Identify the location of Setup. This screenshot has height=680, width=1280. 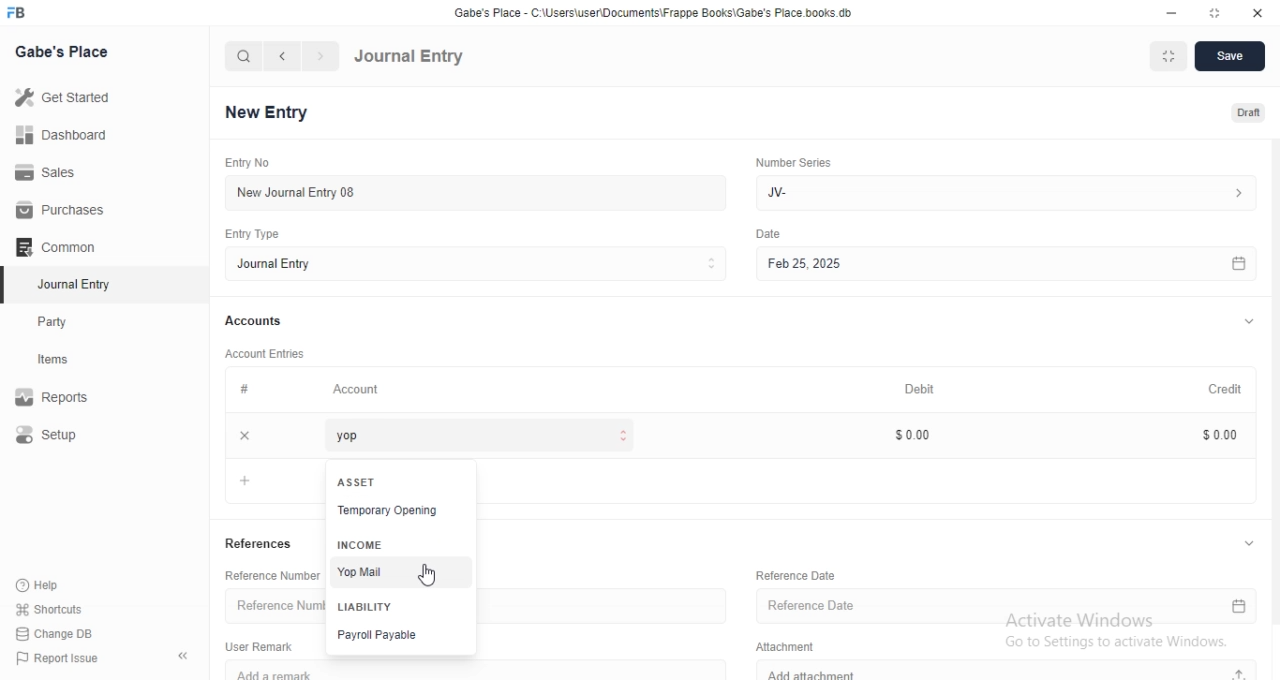
(68, 436).